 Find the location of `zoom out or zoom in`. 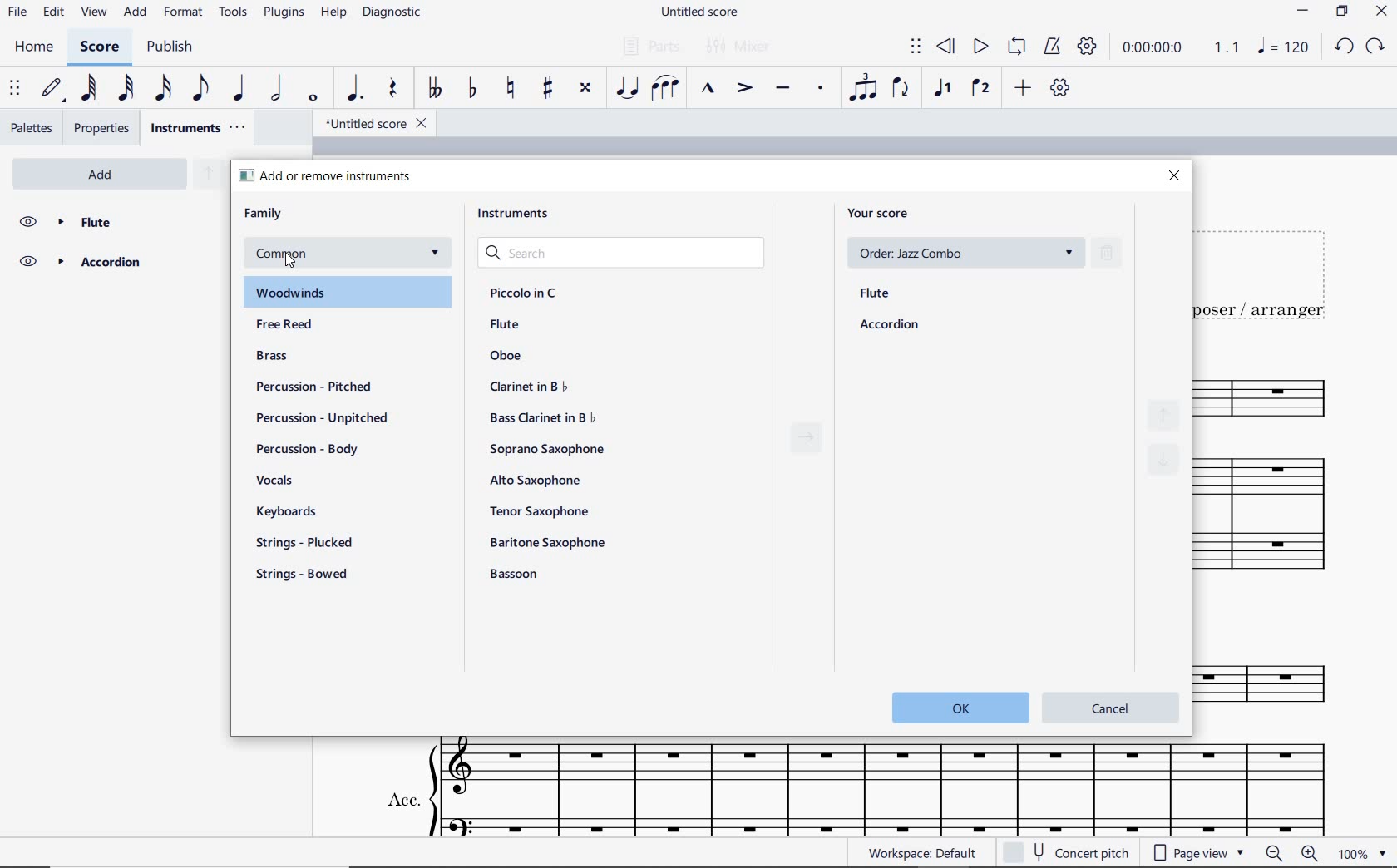

zoom out or zoom in is located at coordinates (1291, 854).